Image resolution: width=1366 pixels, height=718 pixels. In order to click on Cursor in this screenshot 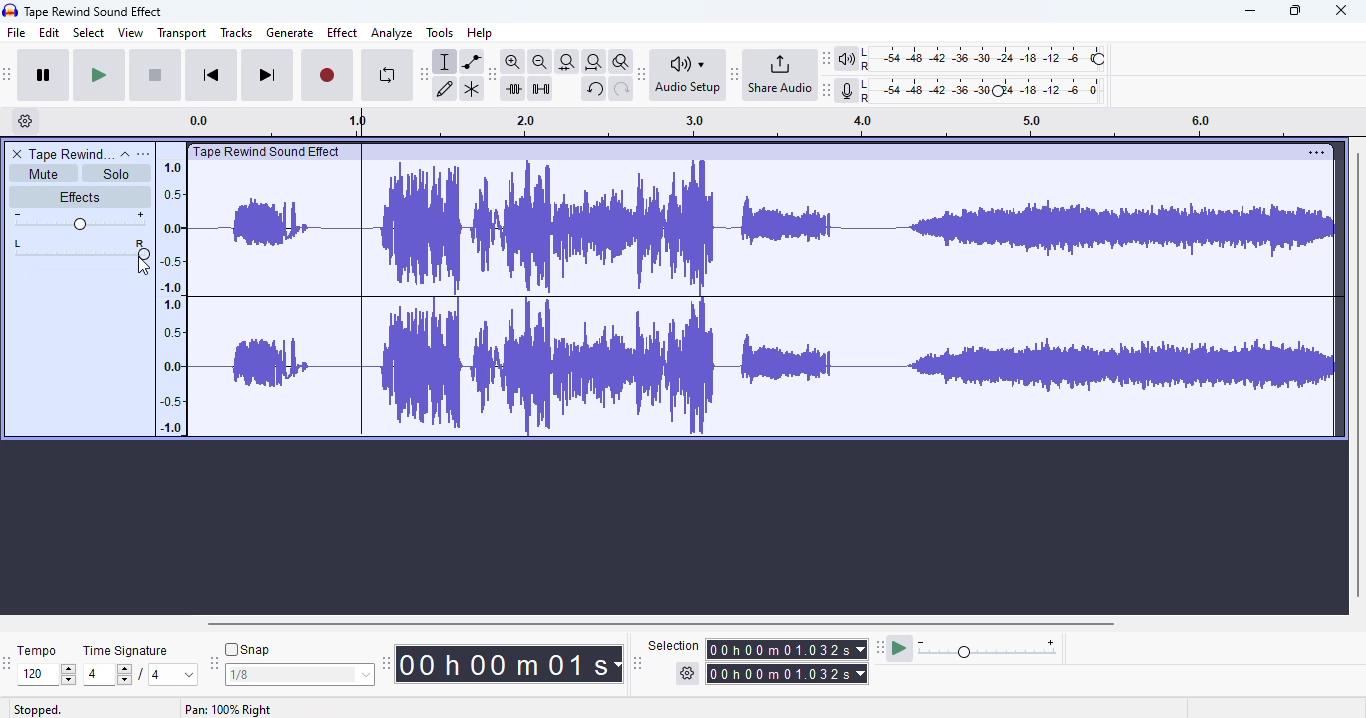, I will do `click(143, 266)`.